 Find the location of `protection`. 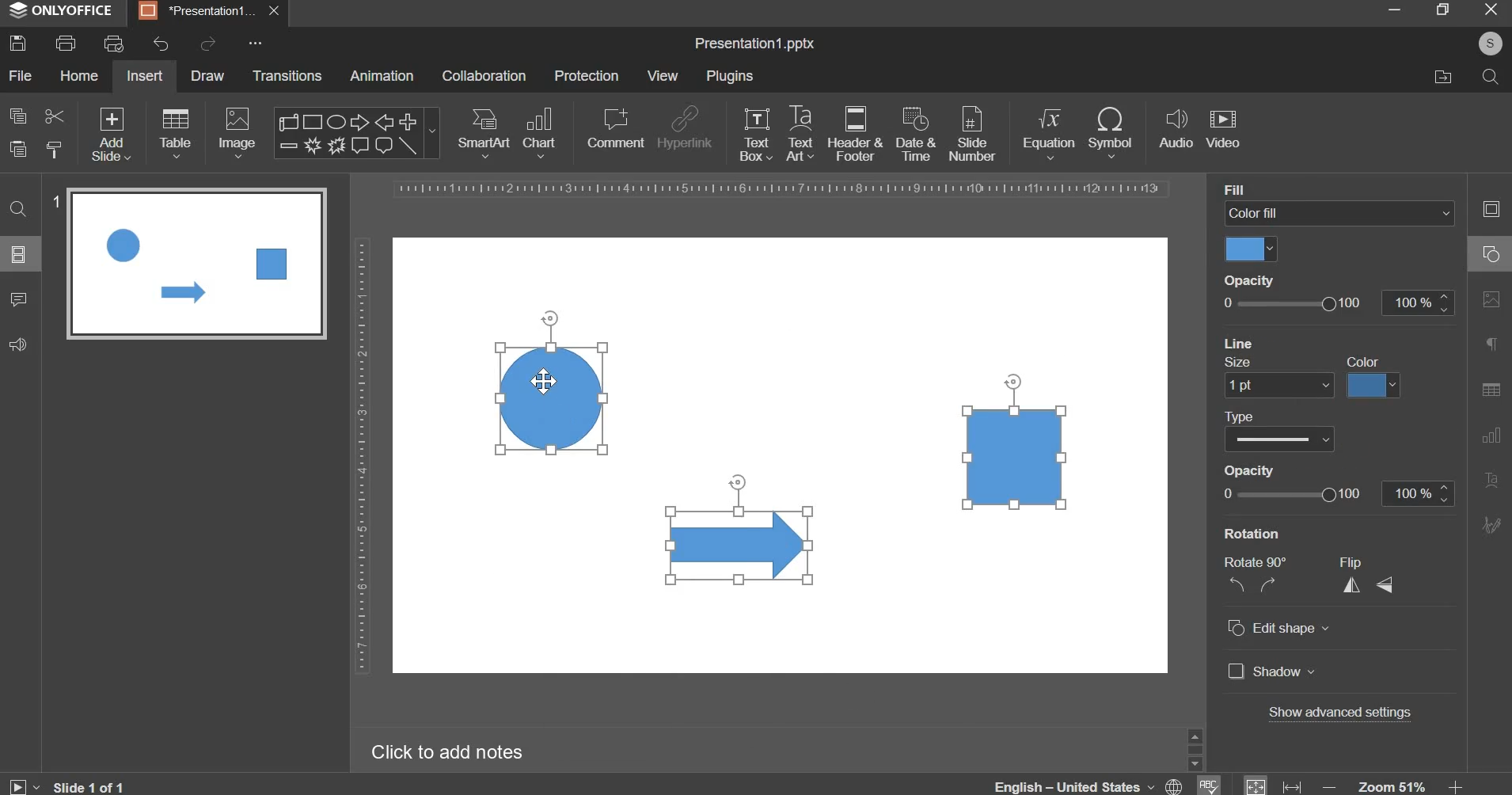

protection is located at coordinates (587, 75).